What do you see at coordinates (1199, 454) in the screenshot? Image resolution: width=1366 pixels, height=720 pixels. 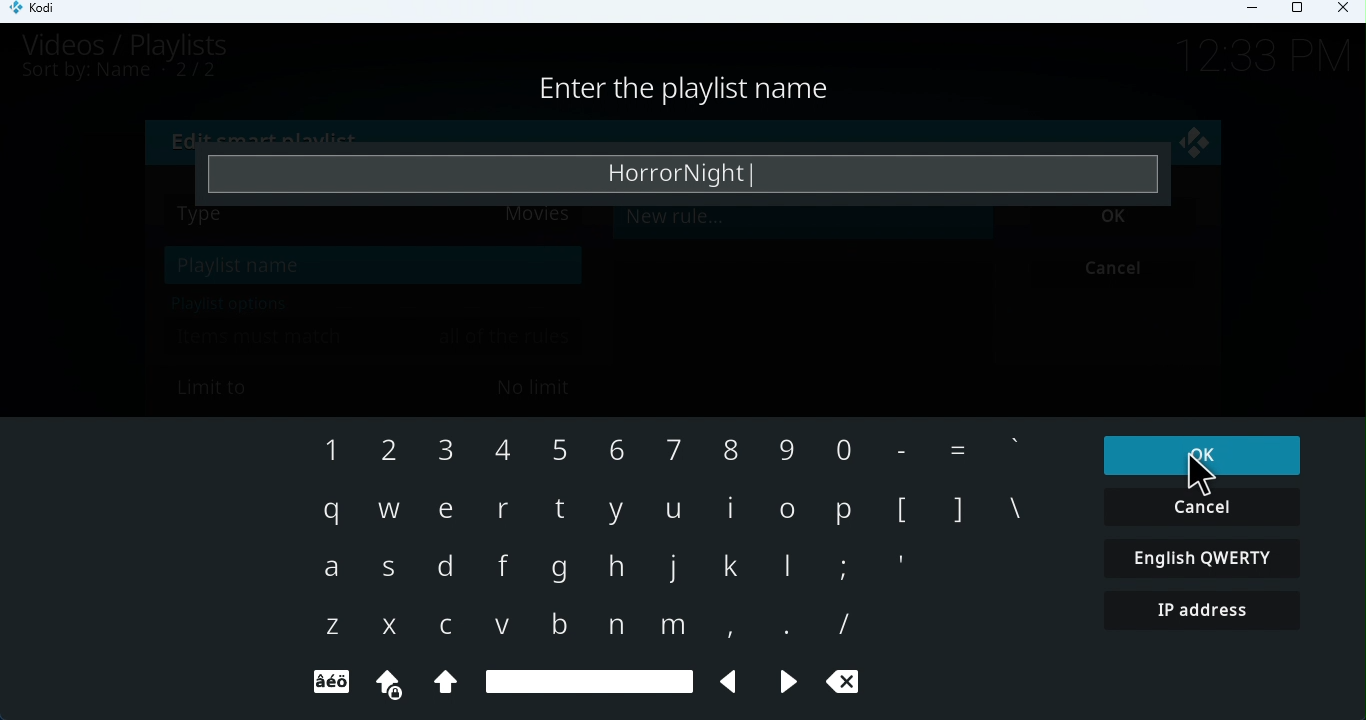 I see `OK` at bounding box center [1199, 454].